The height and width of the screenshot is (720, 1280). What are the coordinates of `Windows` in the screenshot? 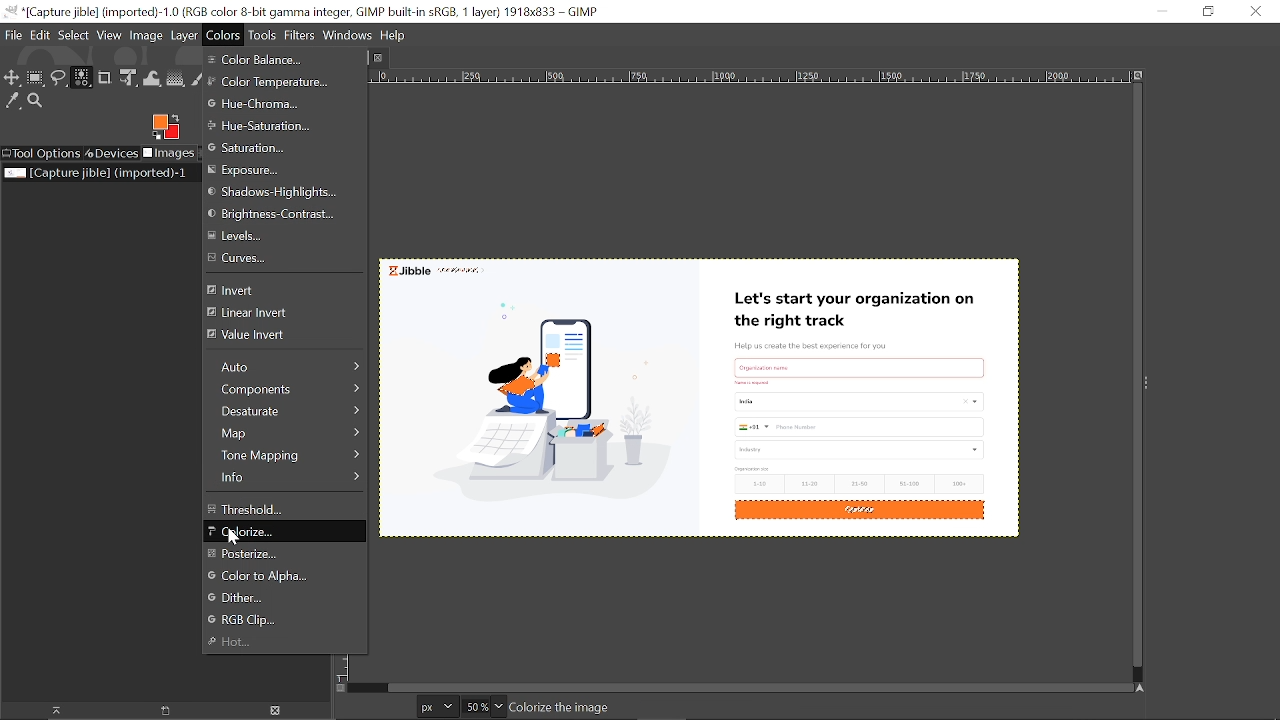 It's located at (349, 36).